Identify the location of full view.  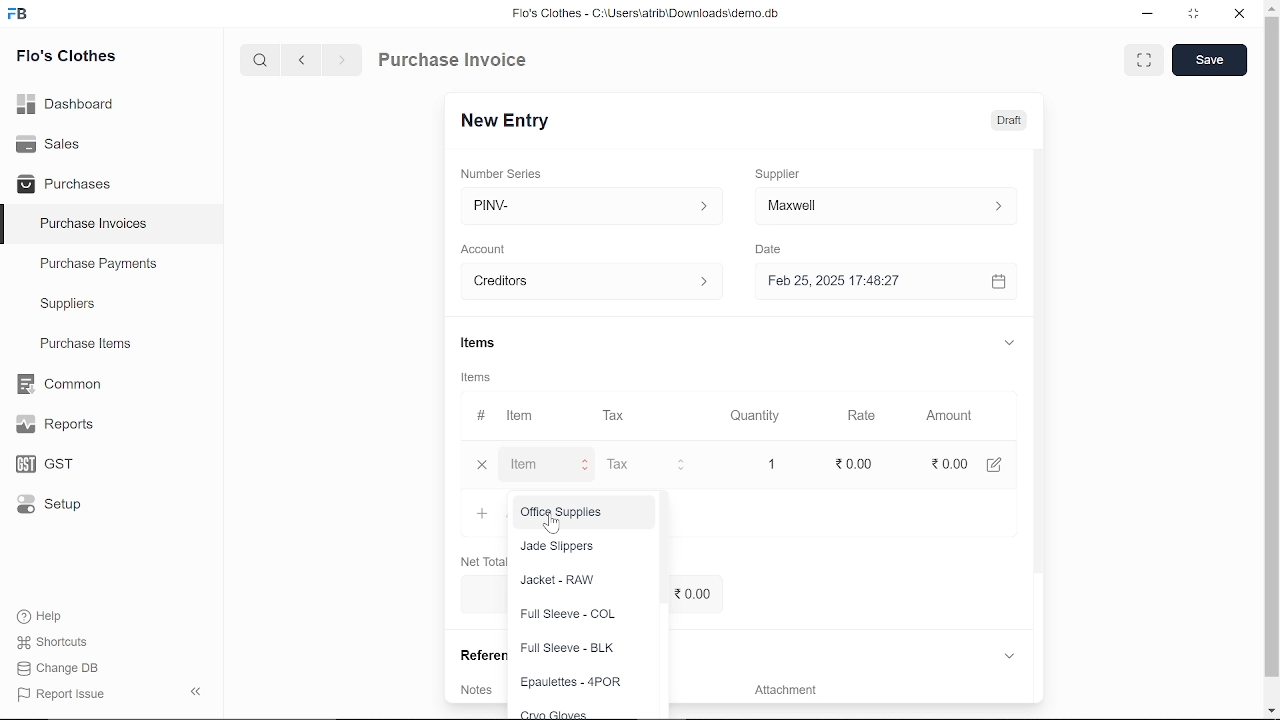
(1142, 59).